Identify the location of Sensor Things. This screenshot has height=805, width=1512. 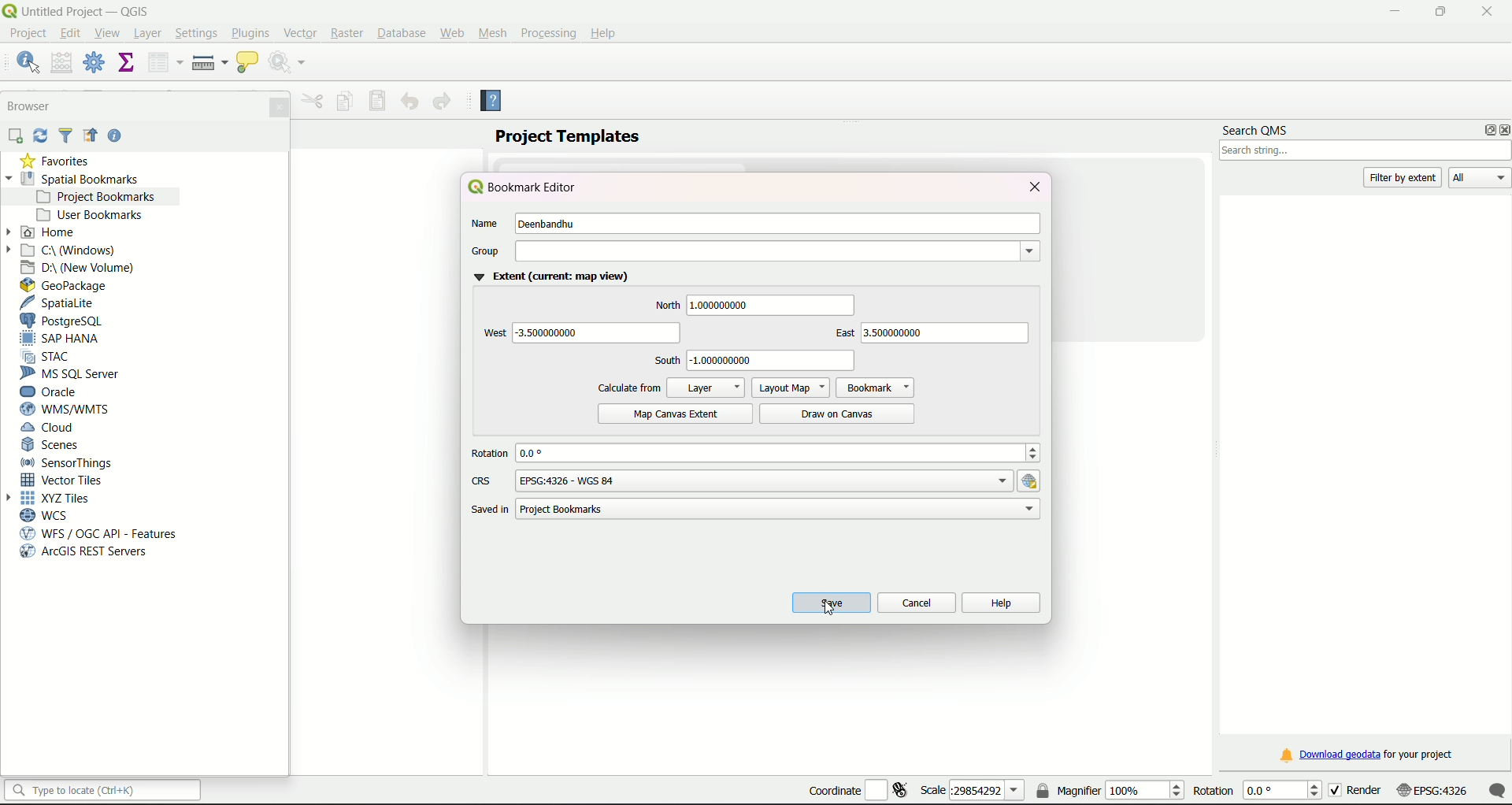
(70, 463).